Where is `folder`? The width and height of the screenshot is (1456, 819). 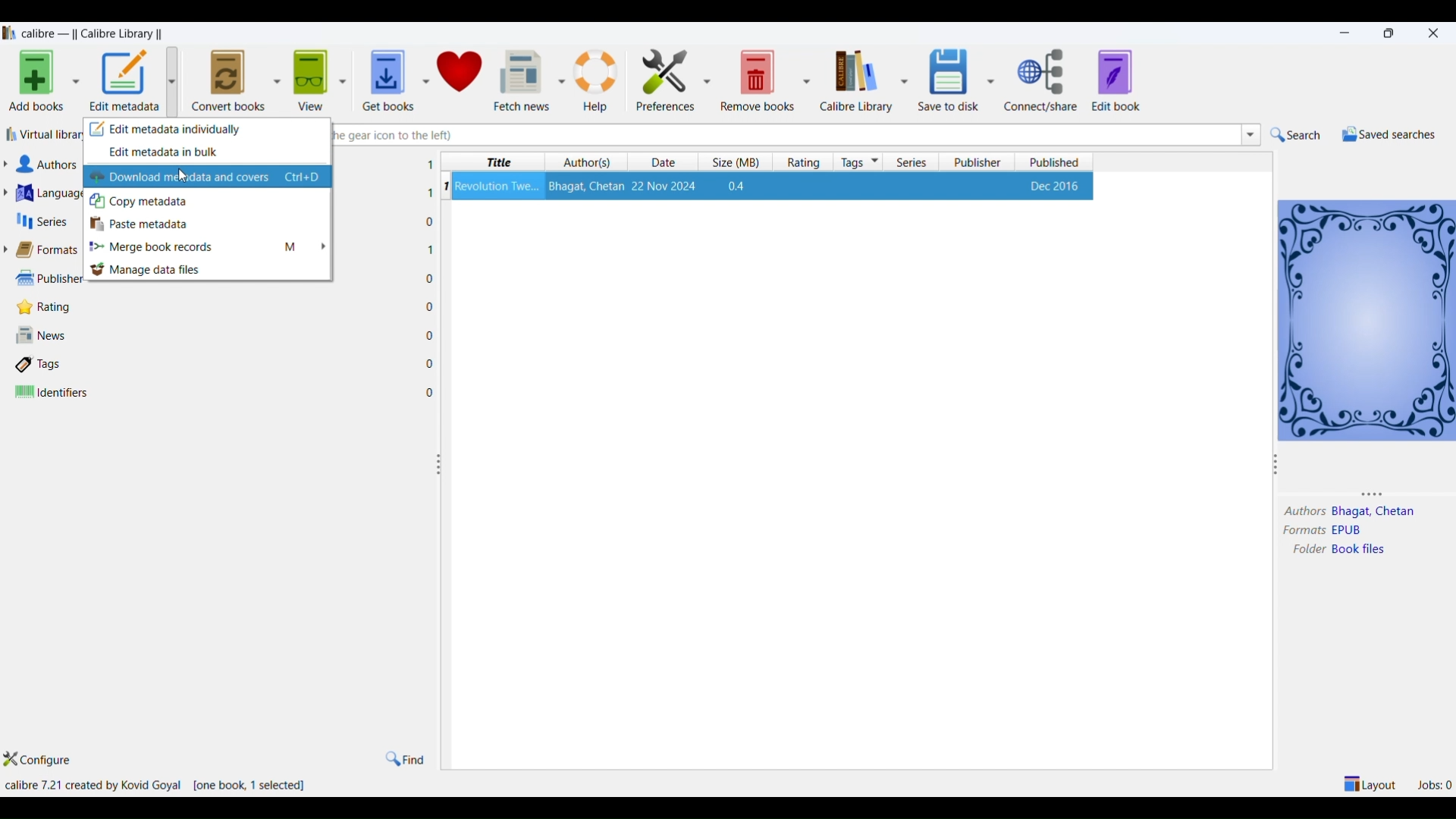
folder is located at coordinates (1305, 551).